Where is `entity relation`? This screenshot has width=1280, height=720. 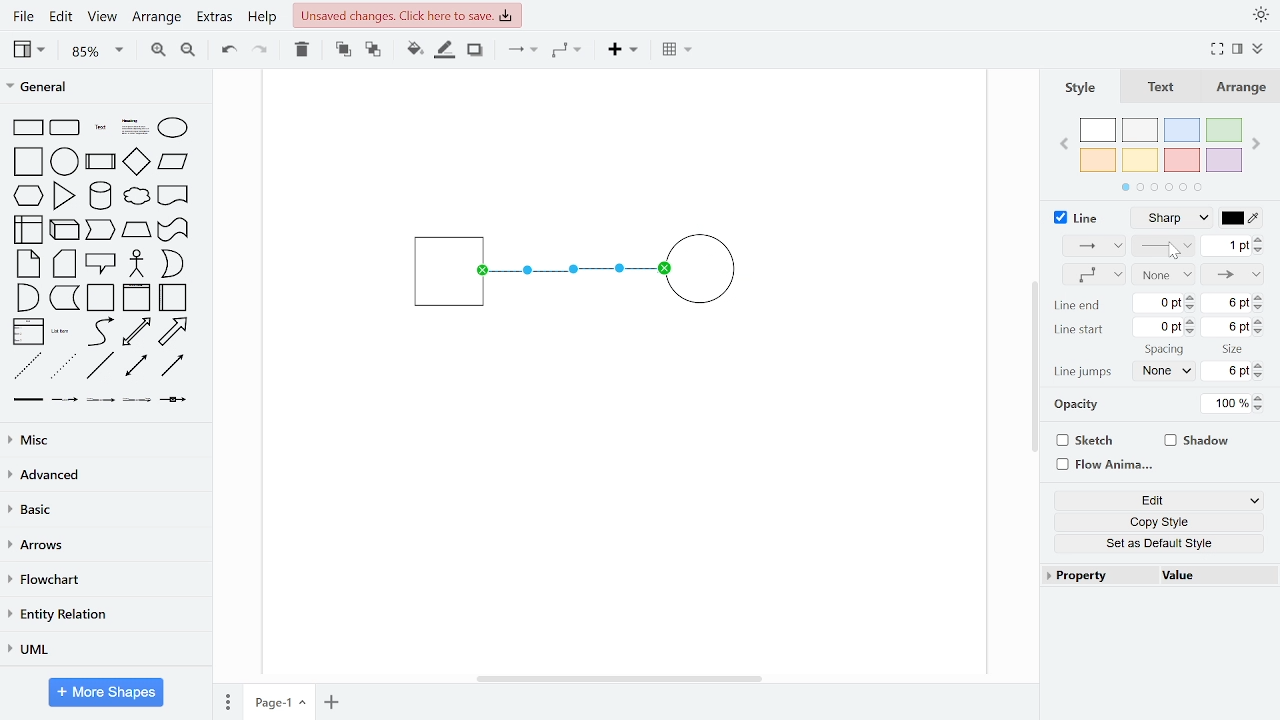 entity relation is located at coordinates (102, 616).